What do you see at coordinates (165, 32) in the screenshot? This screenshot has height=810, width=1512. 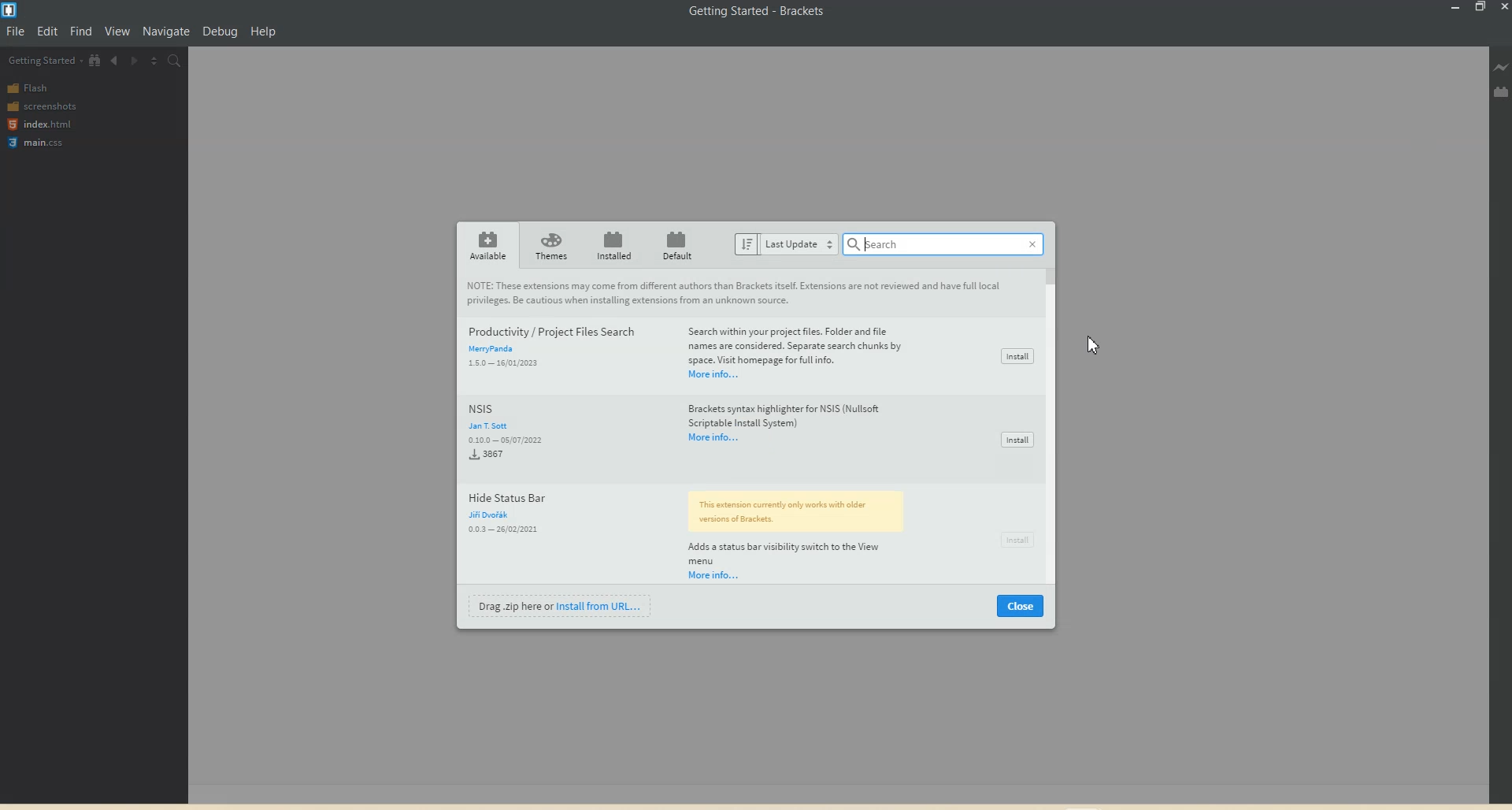 I see `Navigation` at bounding box center [165, 32].